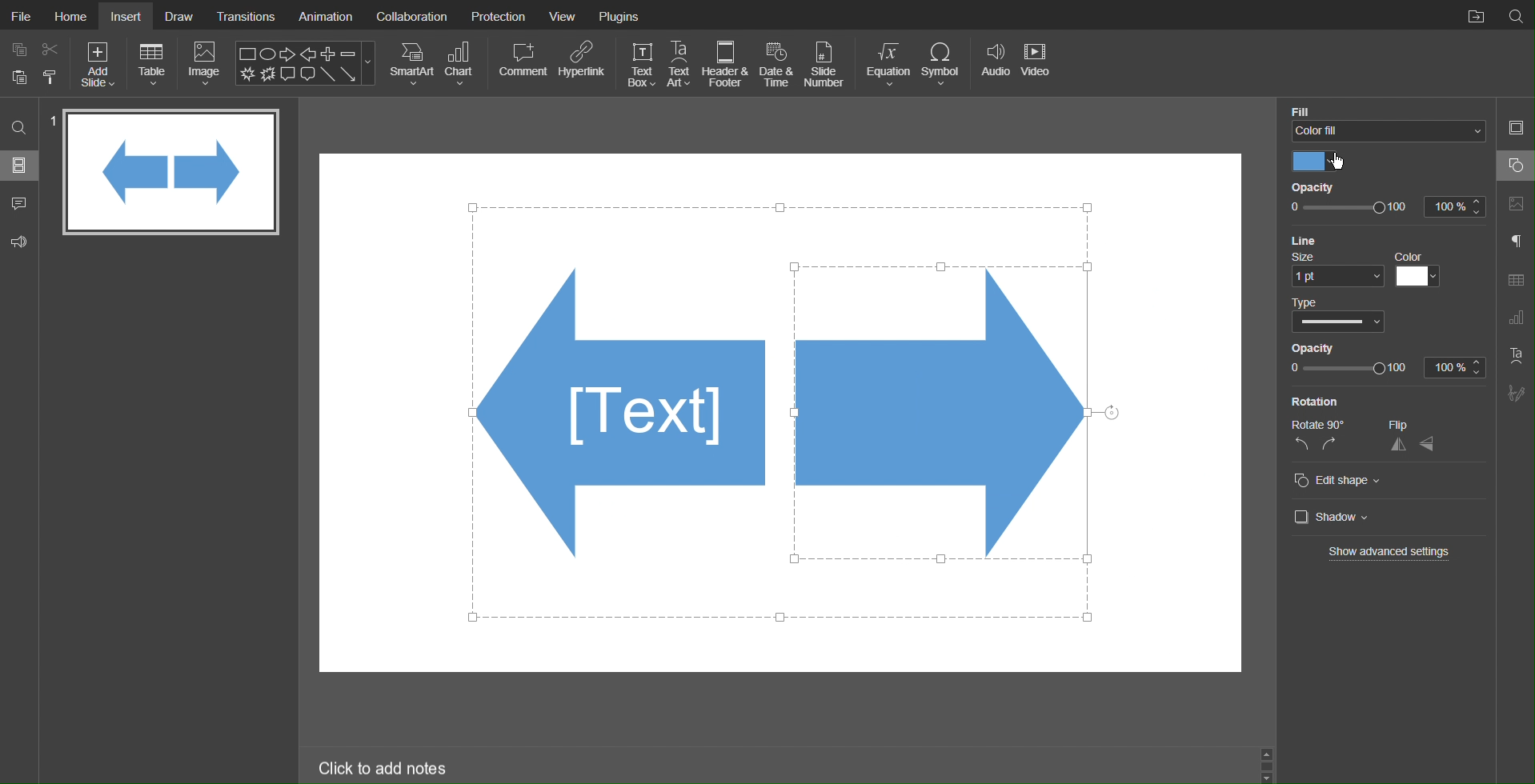 This screenshot has width=1535, height=784. I want to click on Collaboration, so click(412, 15).